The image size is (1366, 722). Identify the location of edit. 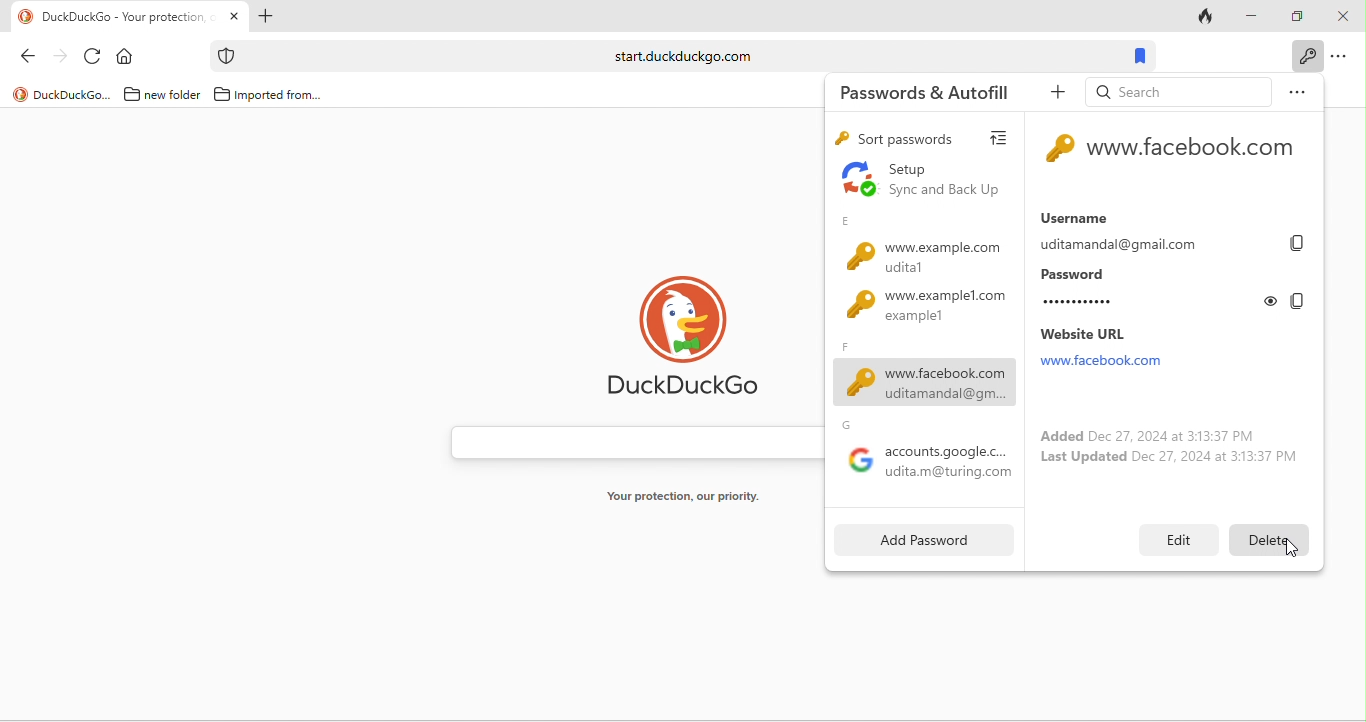
(1179, 538).